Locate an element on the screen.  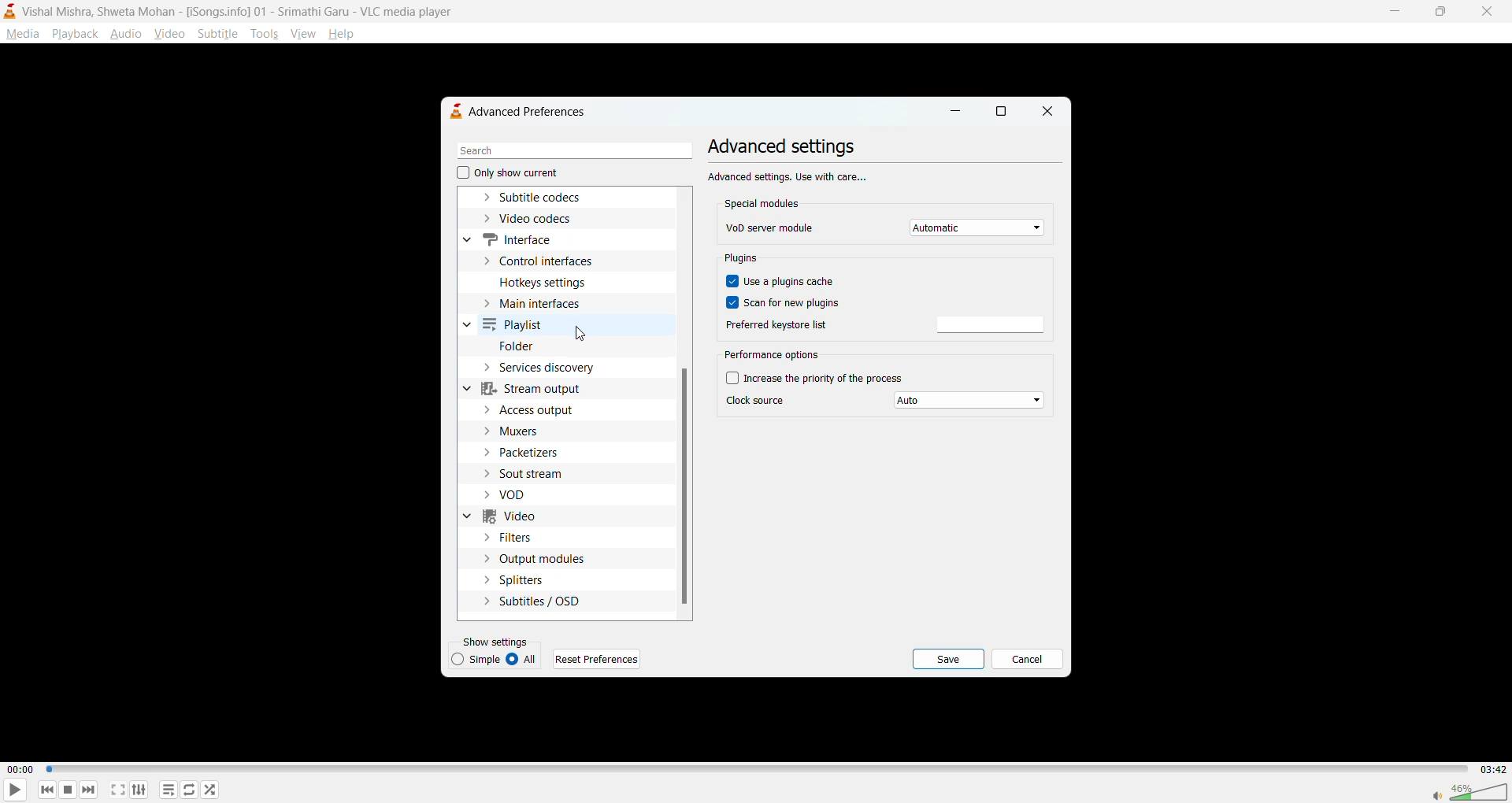
advanced settings is located at coordinates (782, 148).